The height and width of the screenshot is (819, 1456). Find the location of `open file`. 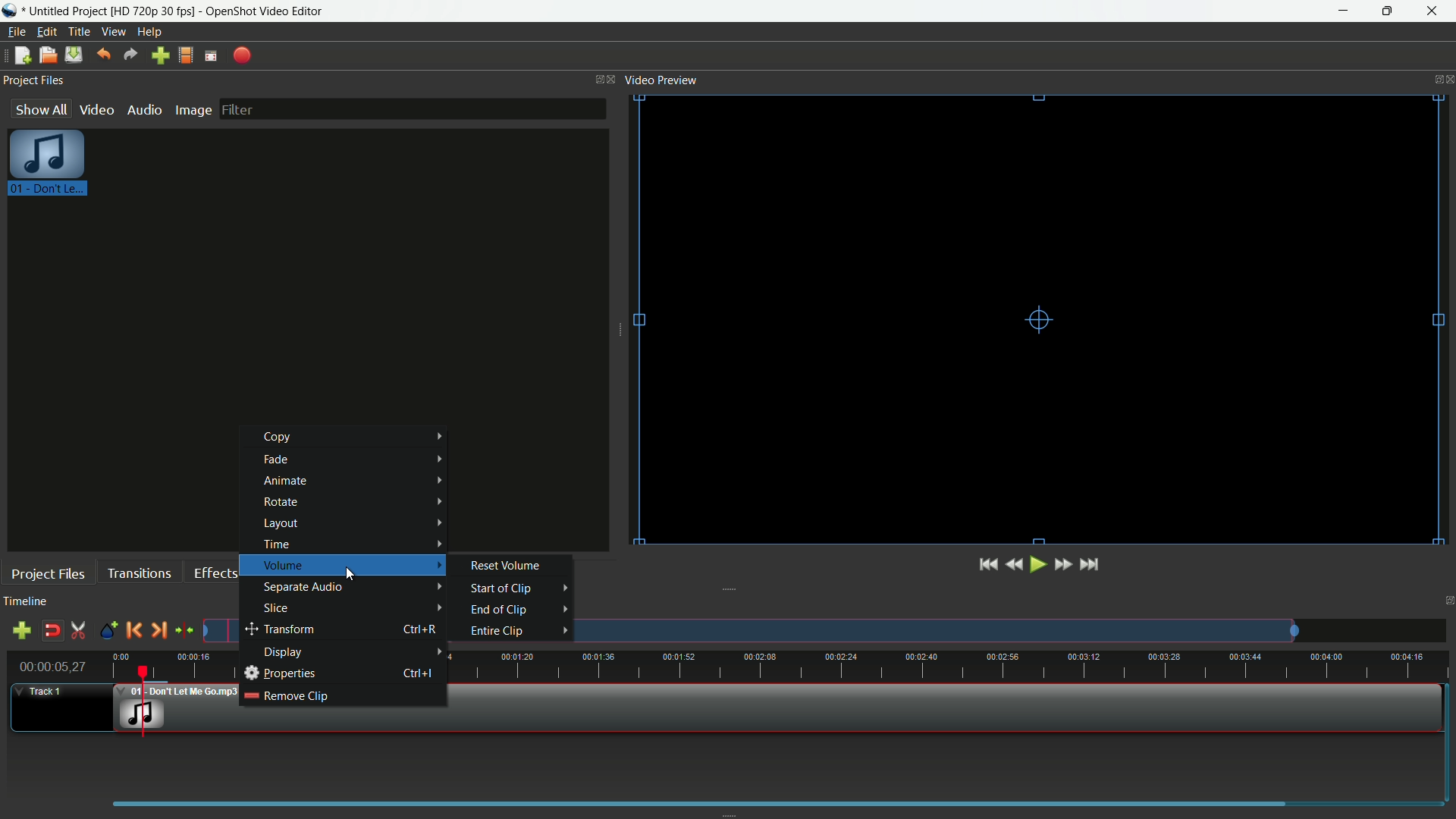

open file is located at coordinates (48, 55).